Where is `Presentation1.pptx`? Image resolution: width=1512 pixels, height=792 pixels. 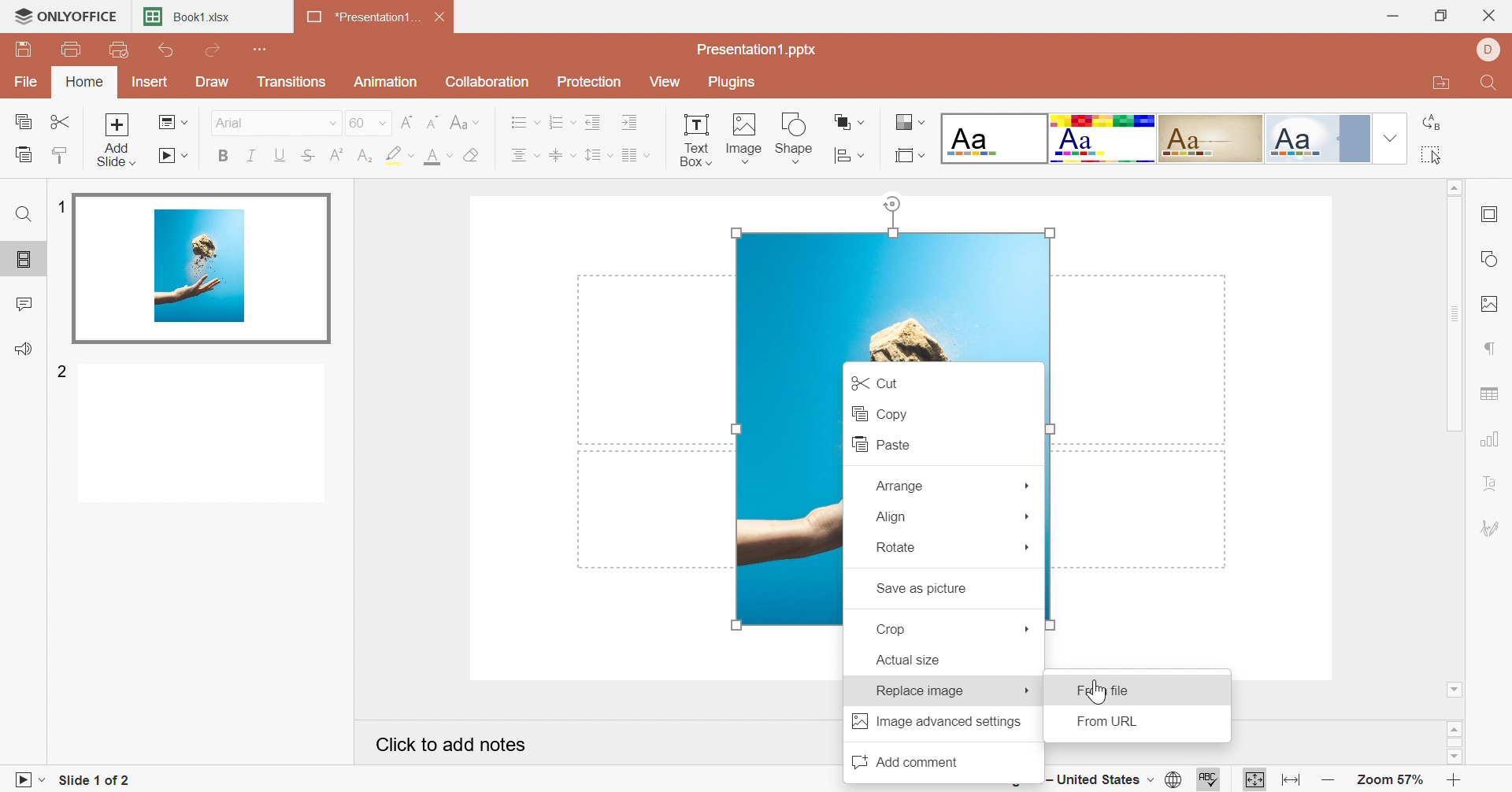 Presentation1.pptx is located at coordinates (759, 50).